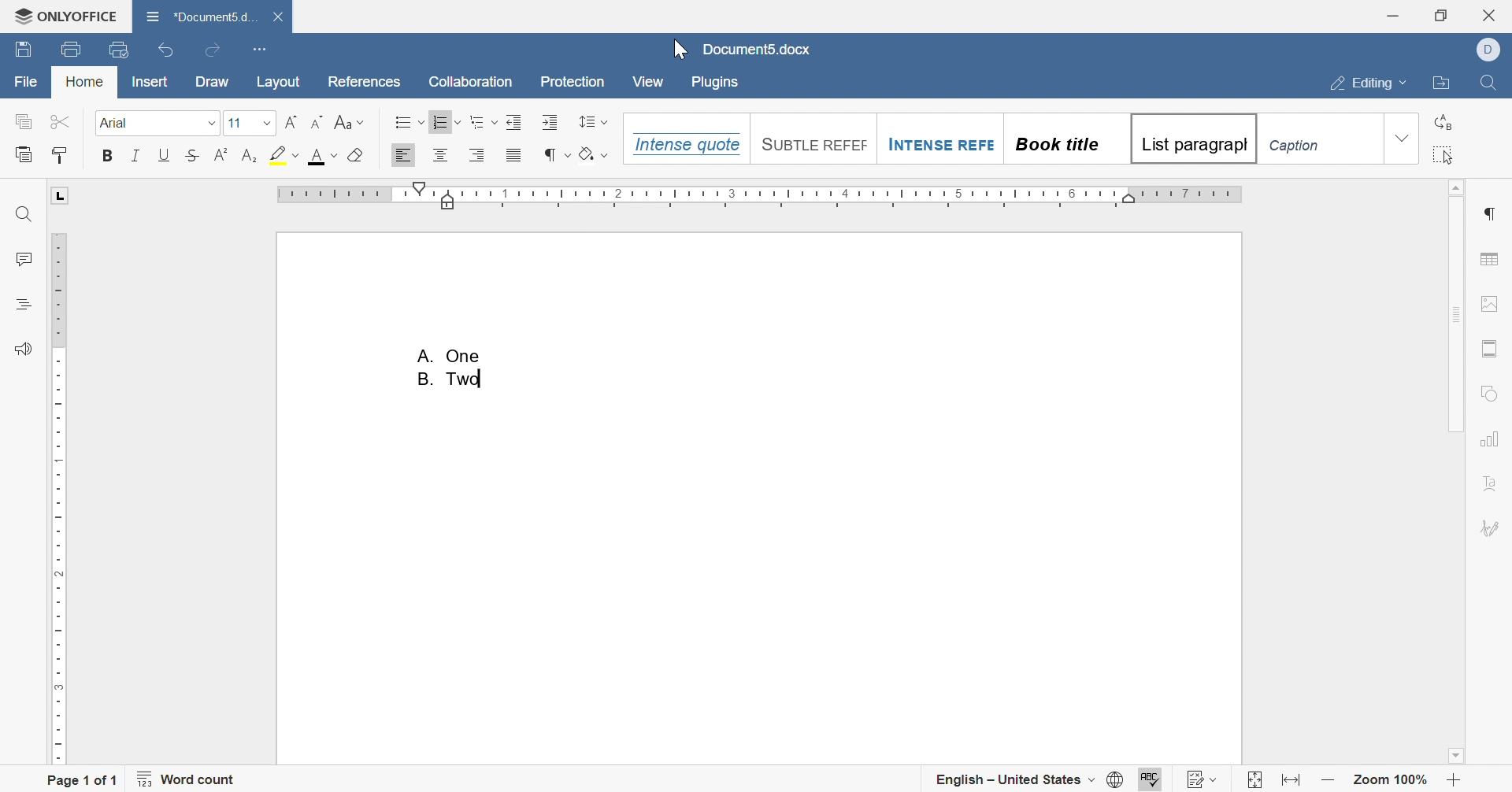  I want to click on print, so click(74, 48).